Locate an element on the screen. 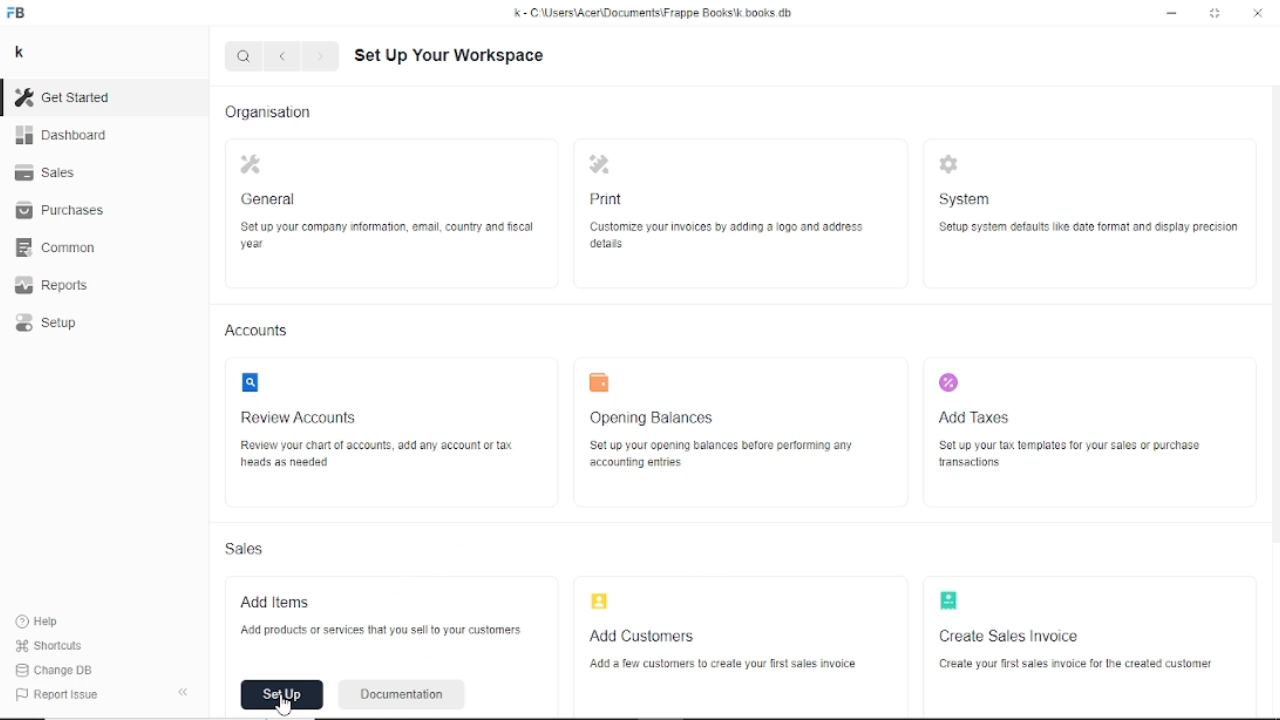  Set Up Your Workspace is located at coordinates (456, 55).